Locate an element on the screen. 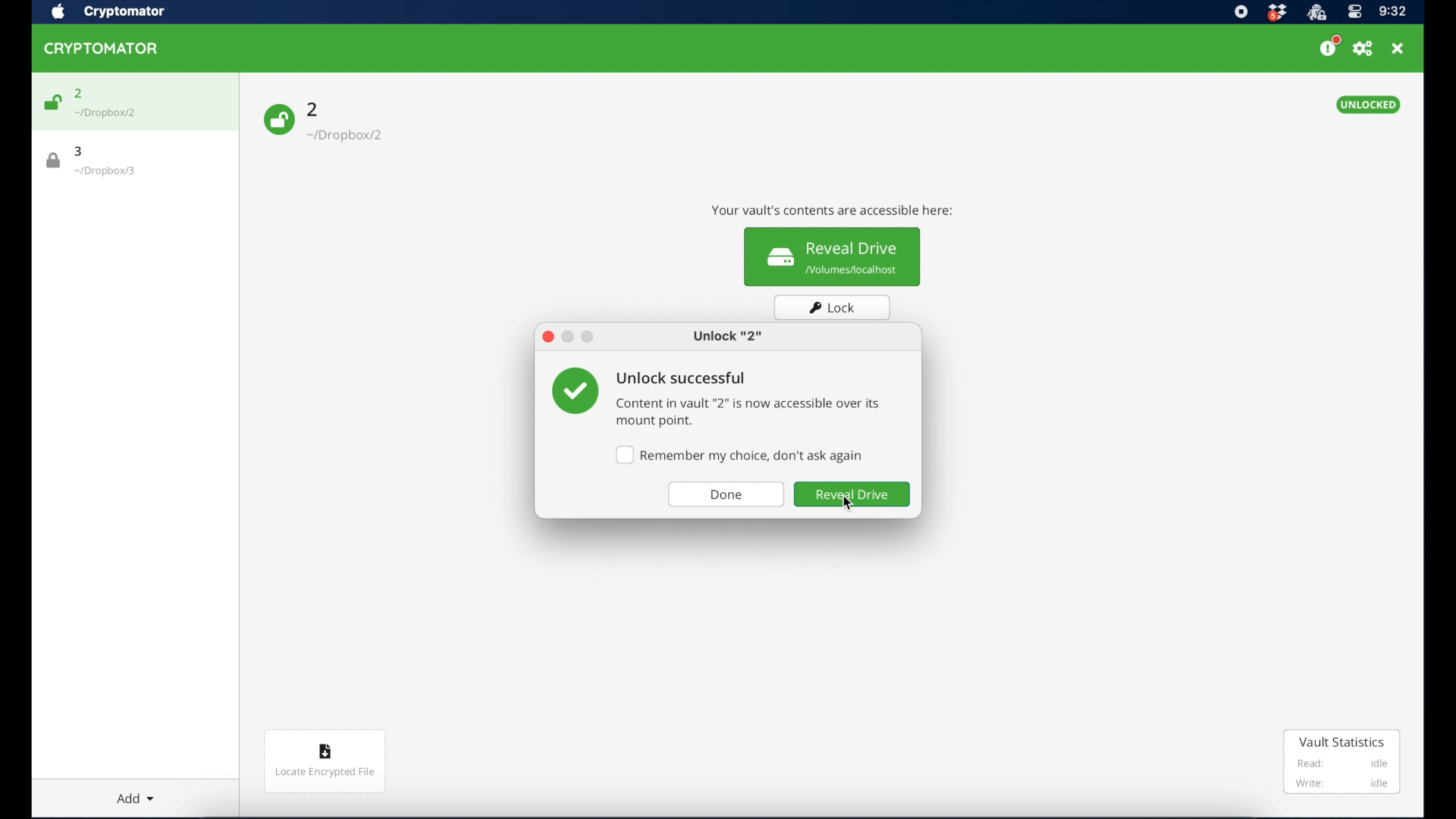 The width and height of the screenshot is (1456, 819). vault location is located at coordinates (111, 171).